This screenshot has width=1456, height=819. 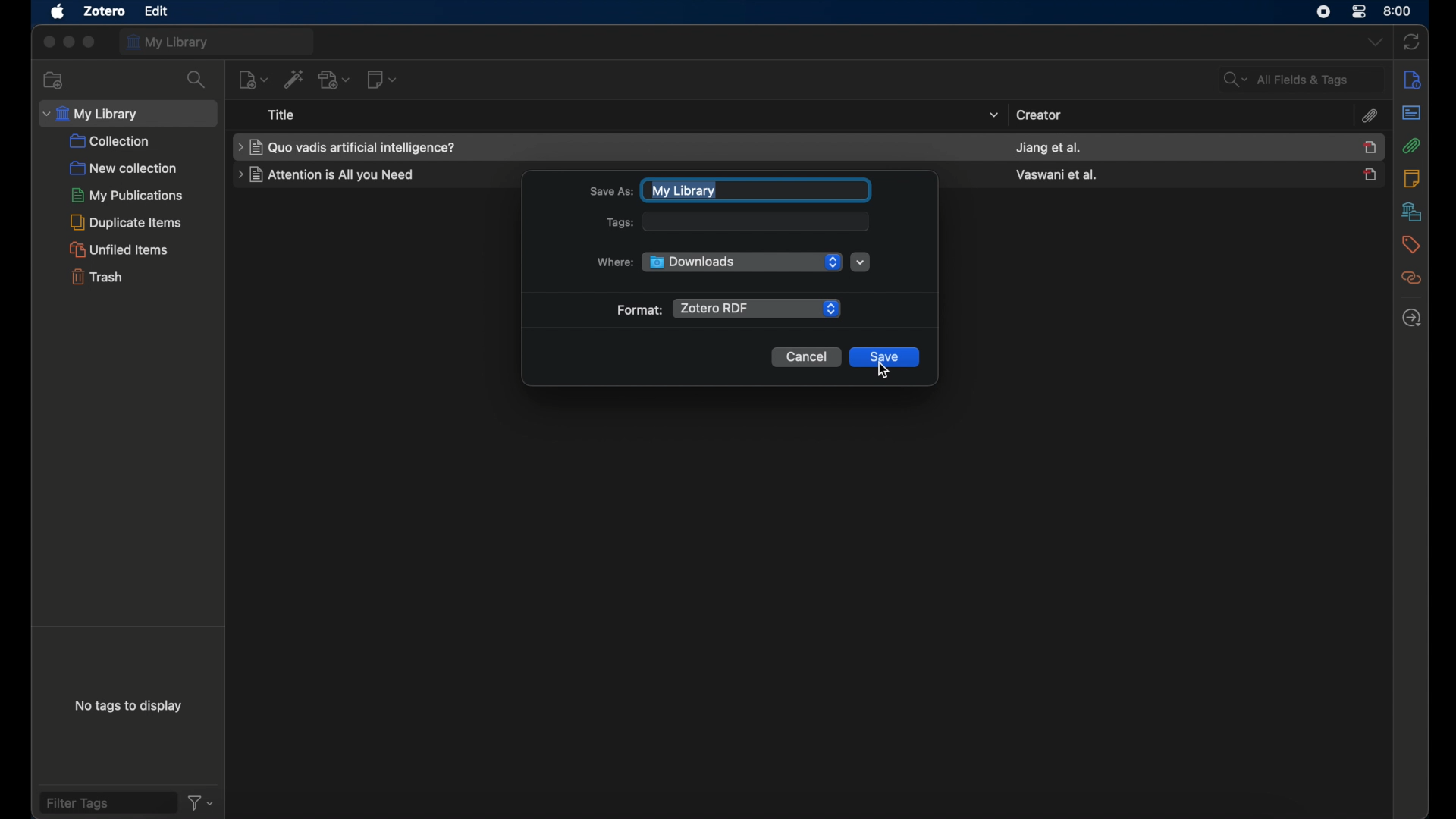 I want to click on item name highlighted, so click(x=348, y=147).